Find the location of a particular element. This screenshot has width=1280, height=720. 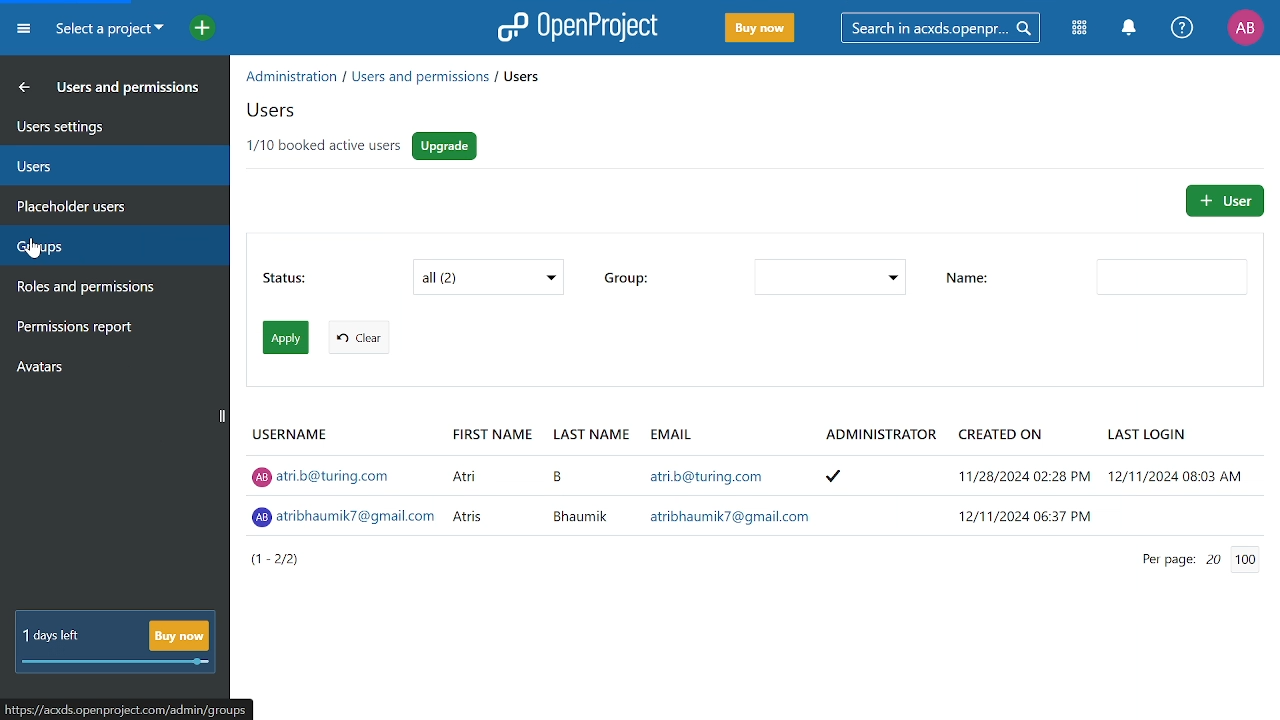

cursor is located at coordinates (40, 253).